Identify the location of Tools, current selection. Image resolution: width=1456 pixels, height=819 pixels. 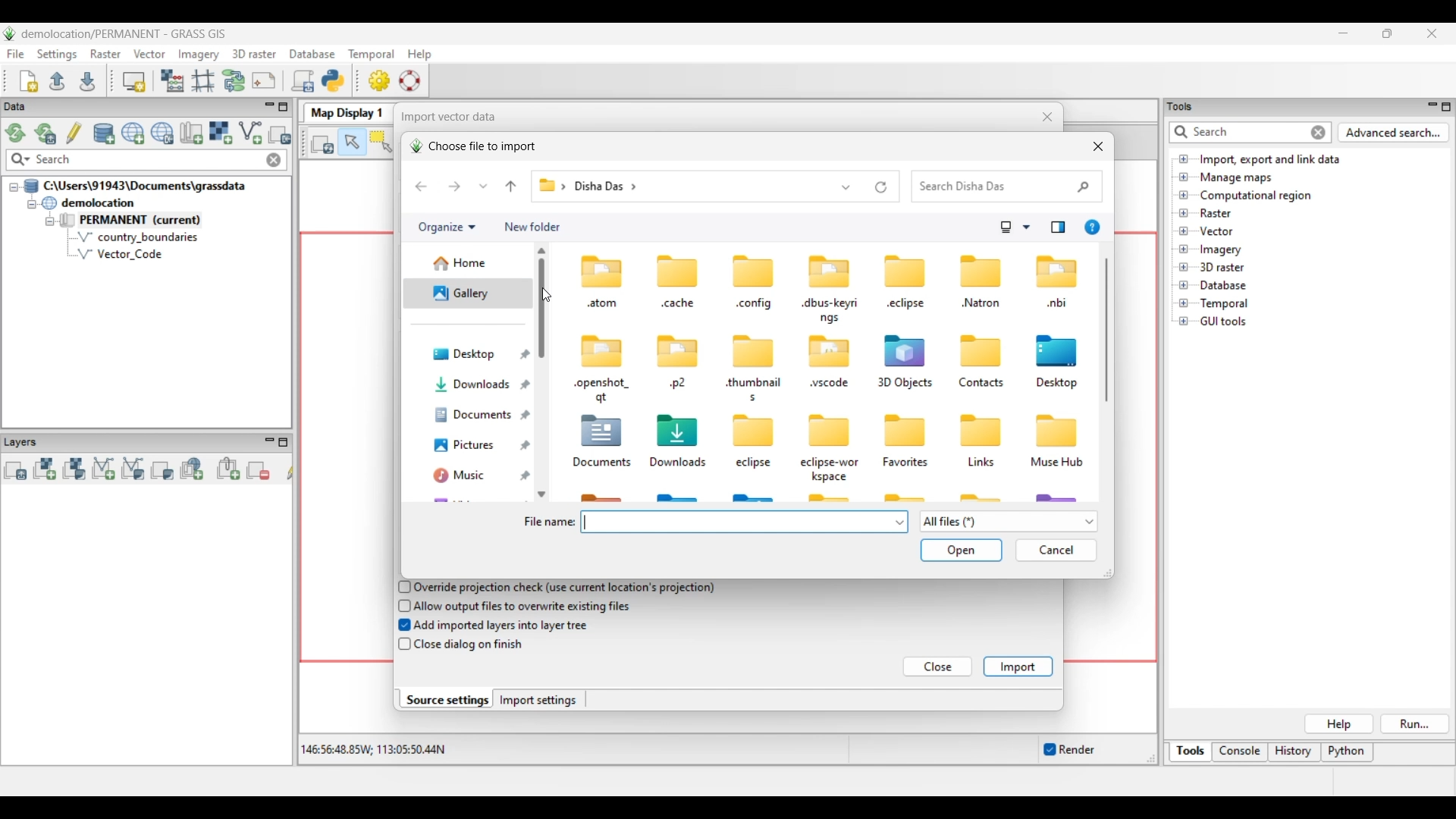
(1191, 752).